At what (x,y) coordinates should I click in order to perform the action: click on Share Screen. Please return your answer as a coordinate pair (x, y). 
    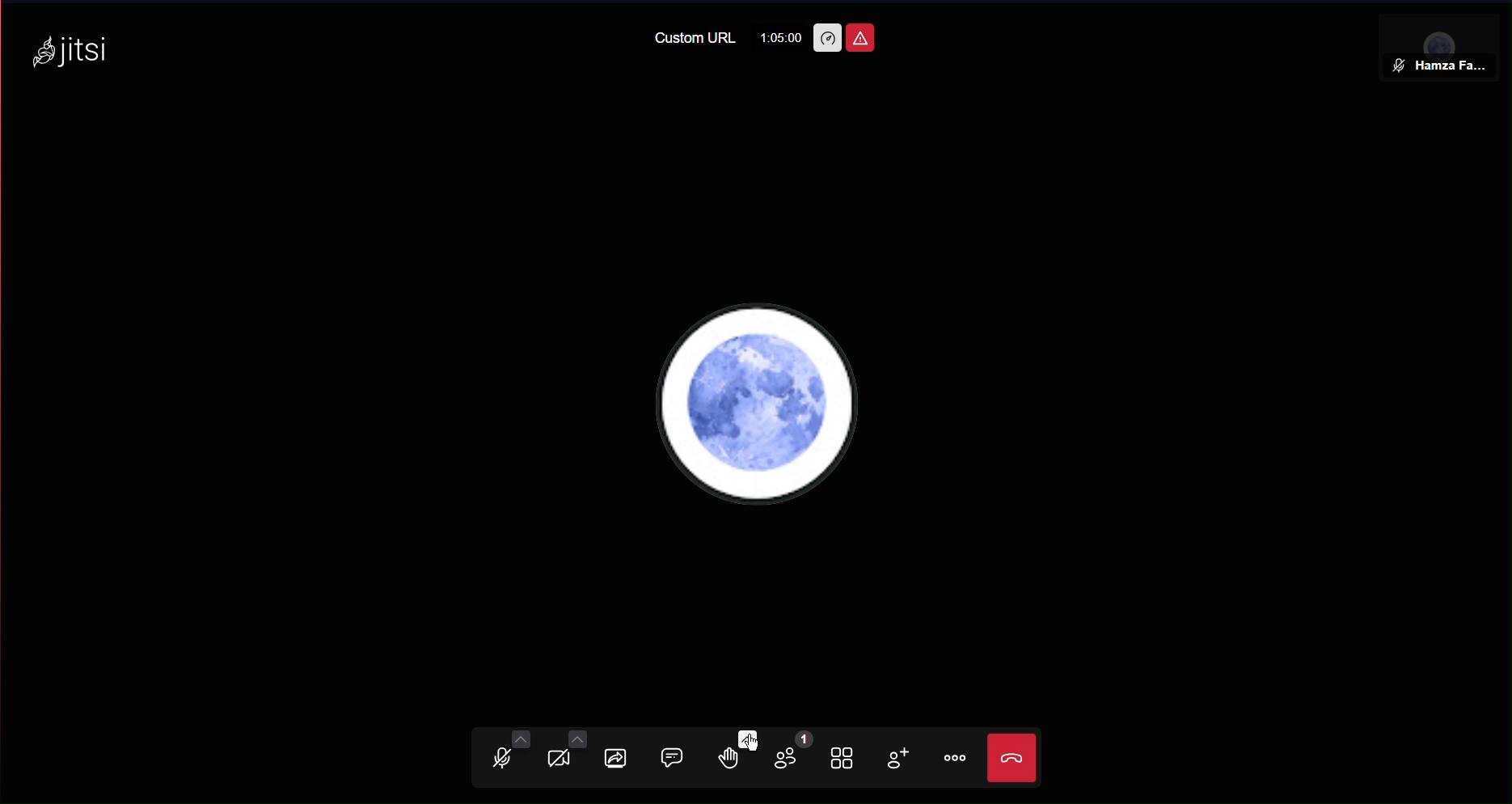
    Looking at the image, I should click on (624, 760).